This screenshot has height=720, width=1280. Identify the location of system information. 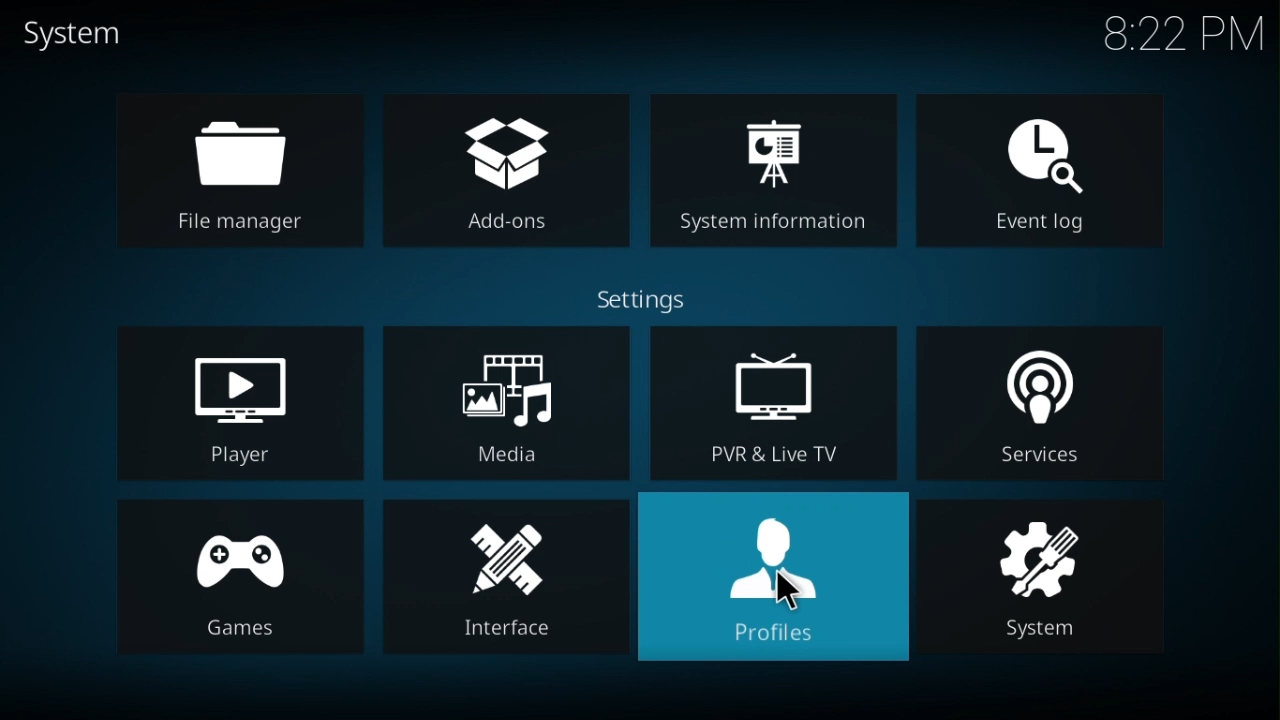
(776, 173).